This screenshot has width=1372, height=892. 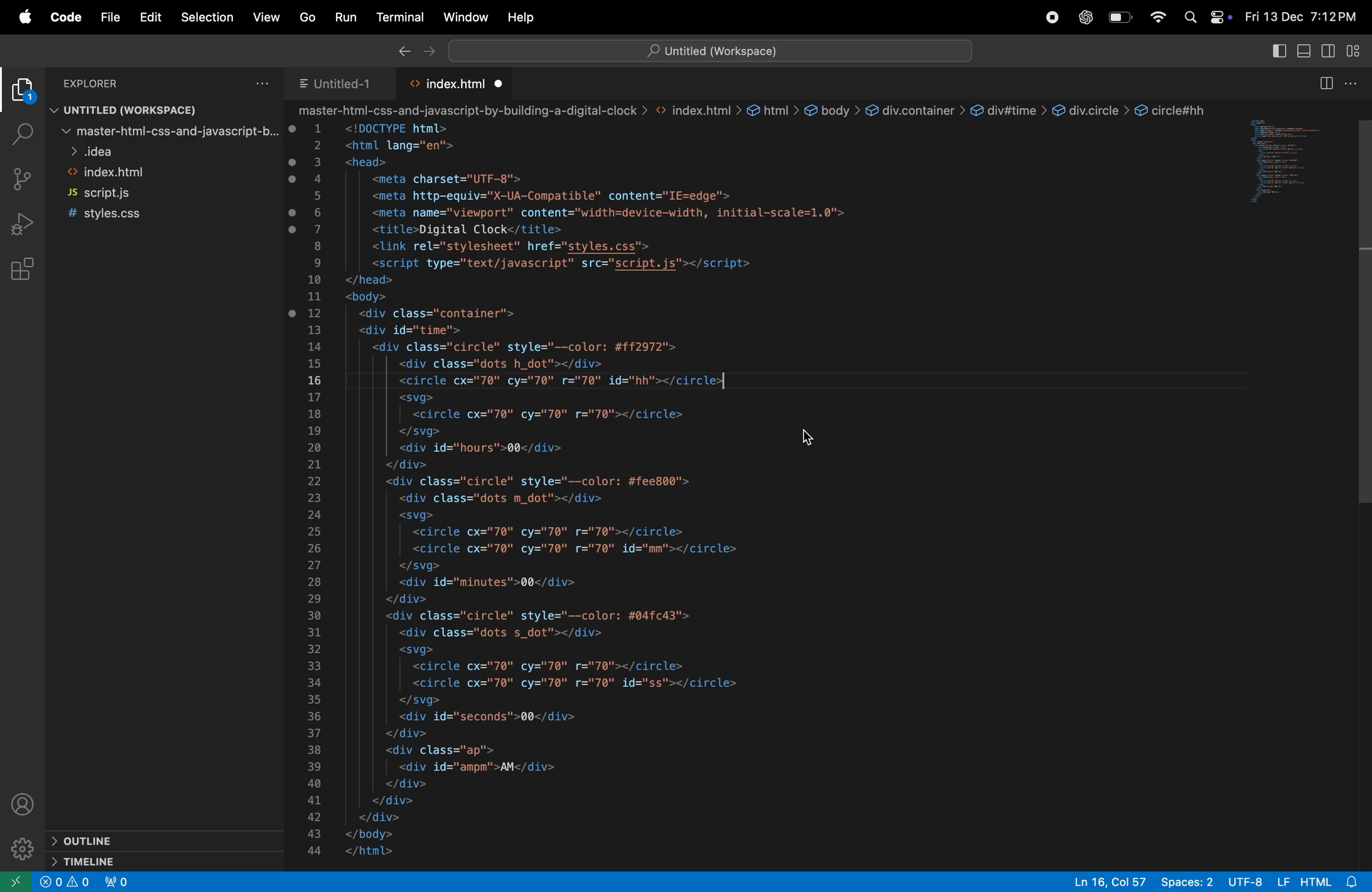 What do you see at coordinates (524, 14) in the screenshot?
I see `Help` at bounding box center [524, 14].